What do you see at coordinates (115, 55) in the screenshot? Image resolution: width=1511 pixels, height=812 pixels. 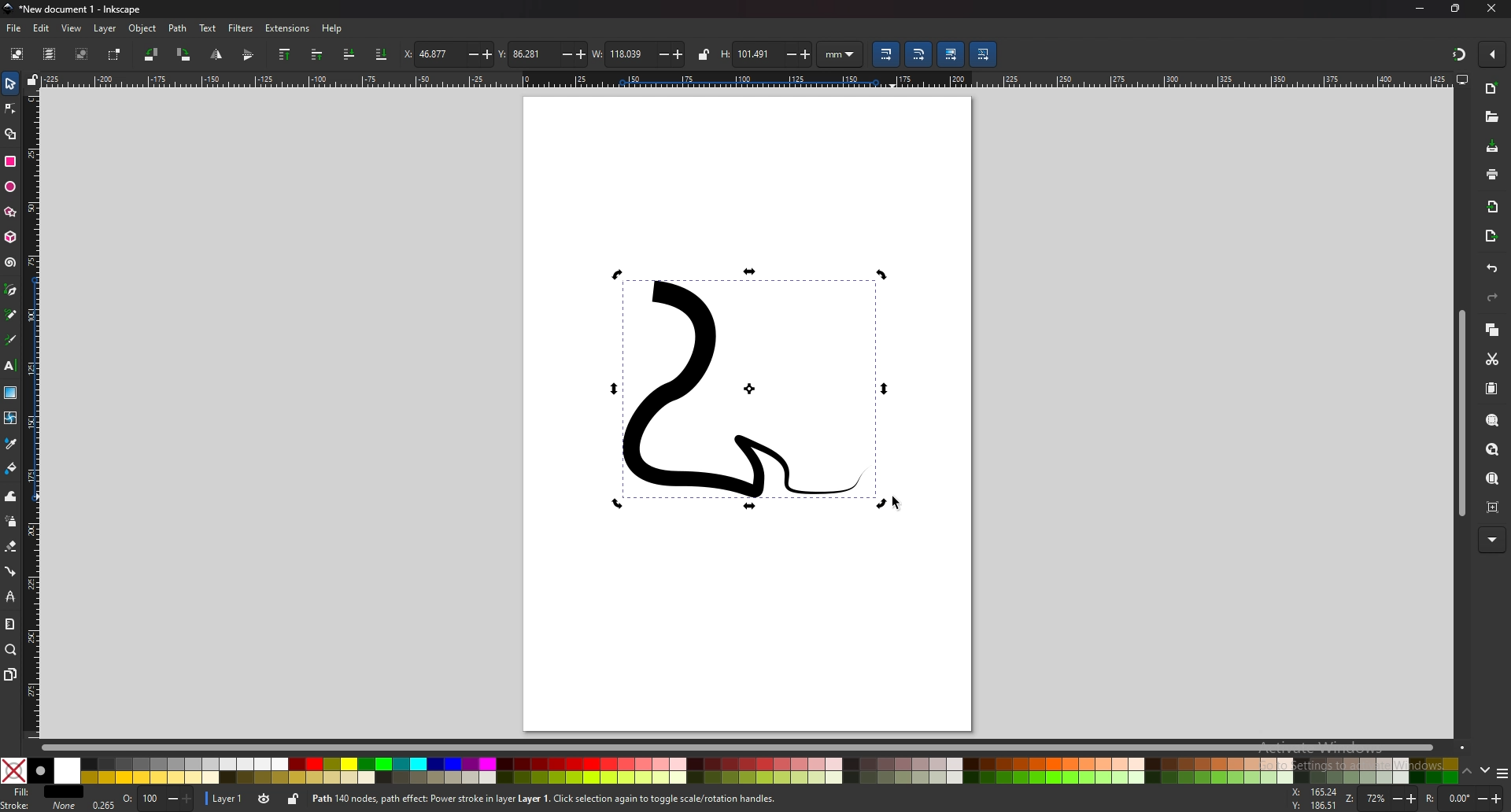 I see `toggle selection box` at bounding box center [115, 55].